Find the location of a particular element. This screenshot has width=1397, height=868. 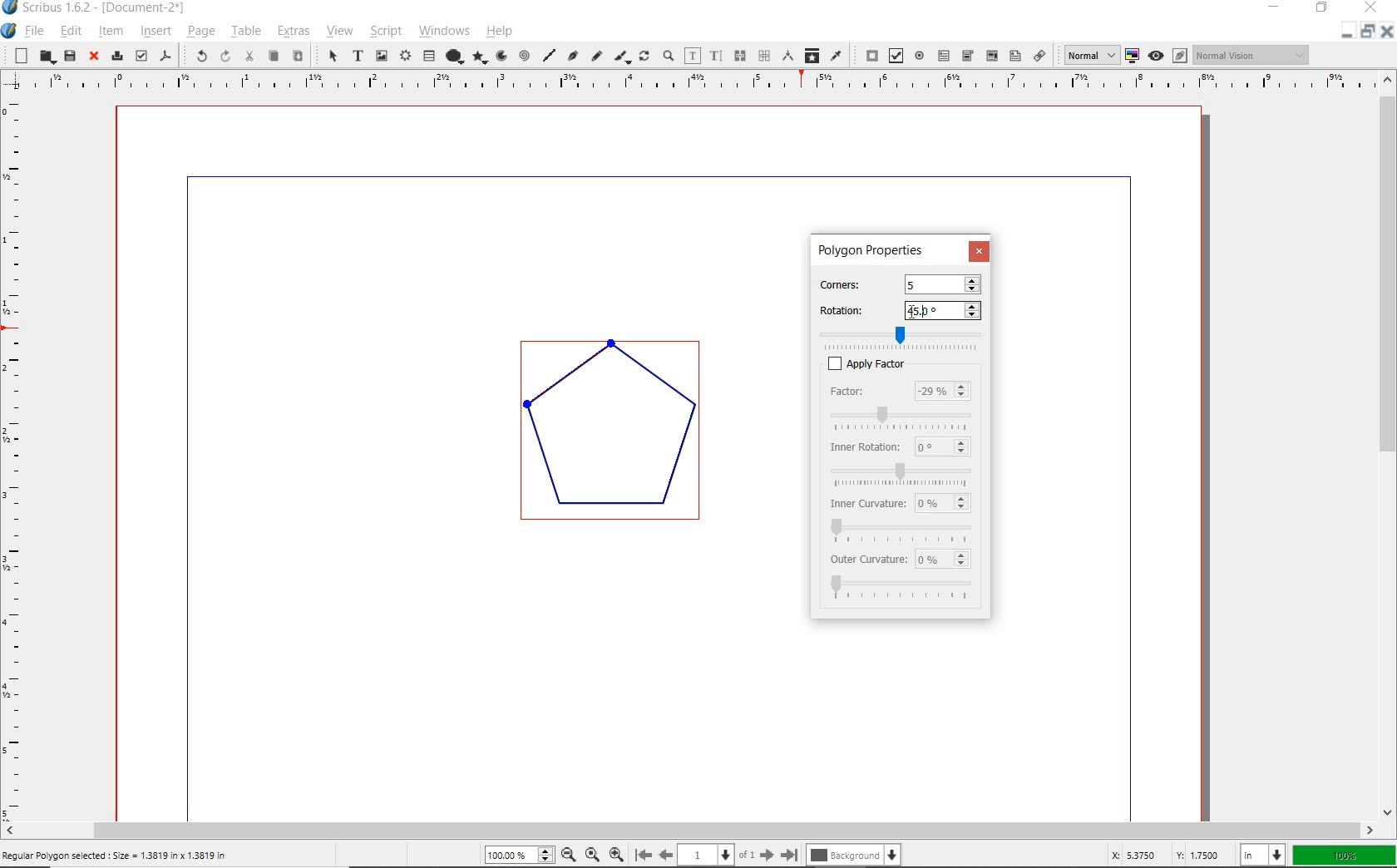

file is located at coordinates (35, 31).